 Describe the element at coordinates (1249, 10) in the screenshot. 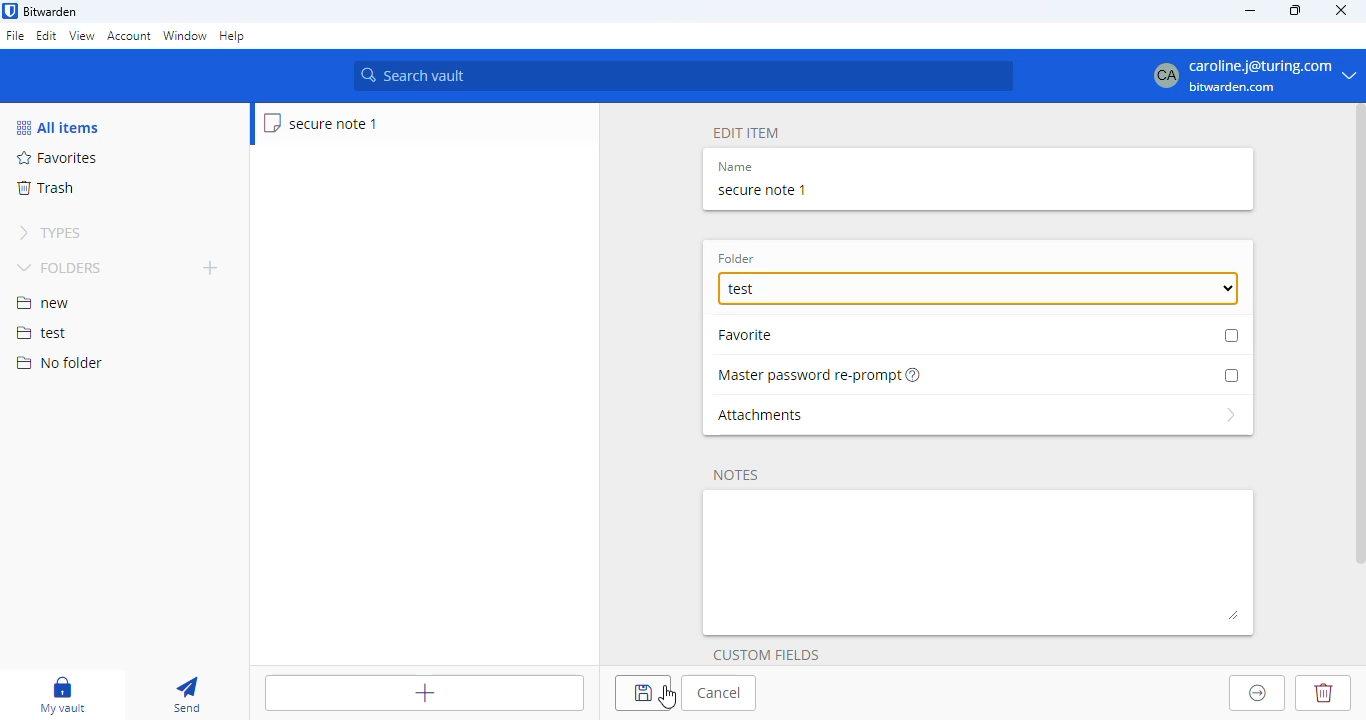

I see `minimize` at that location.